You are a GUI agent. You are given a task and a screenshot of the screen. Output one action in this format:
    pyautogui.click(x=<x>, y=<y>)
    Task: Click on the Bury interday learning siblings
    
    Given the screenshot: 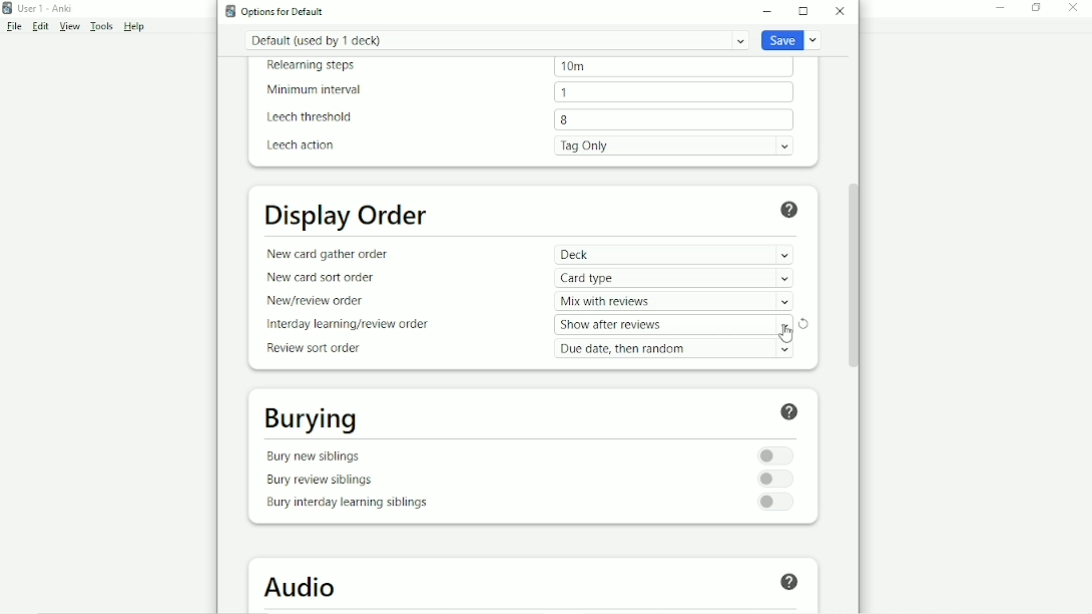 What is the action you would take?
    pyautogui.click(x=345, y=505)
    